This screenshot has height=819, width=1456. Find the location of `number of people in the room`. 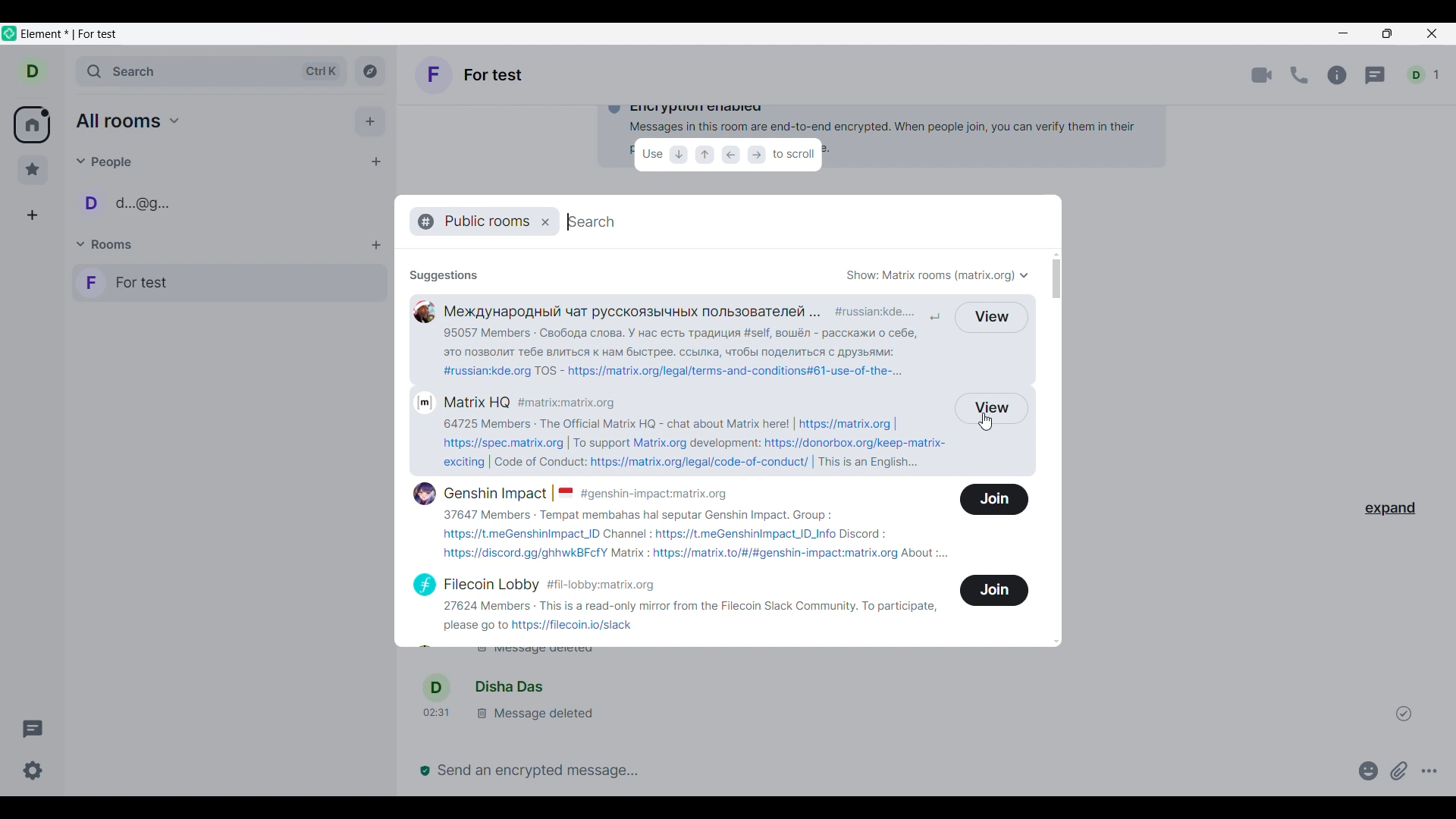

number of people in the room is located at coordinates (1423, 74).